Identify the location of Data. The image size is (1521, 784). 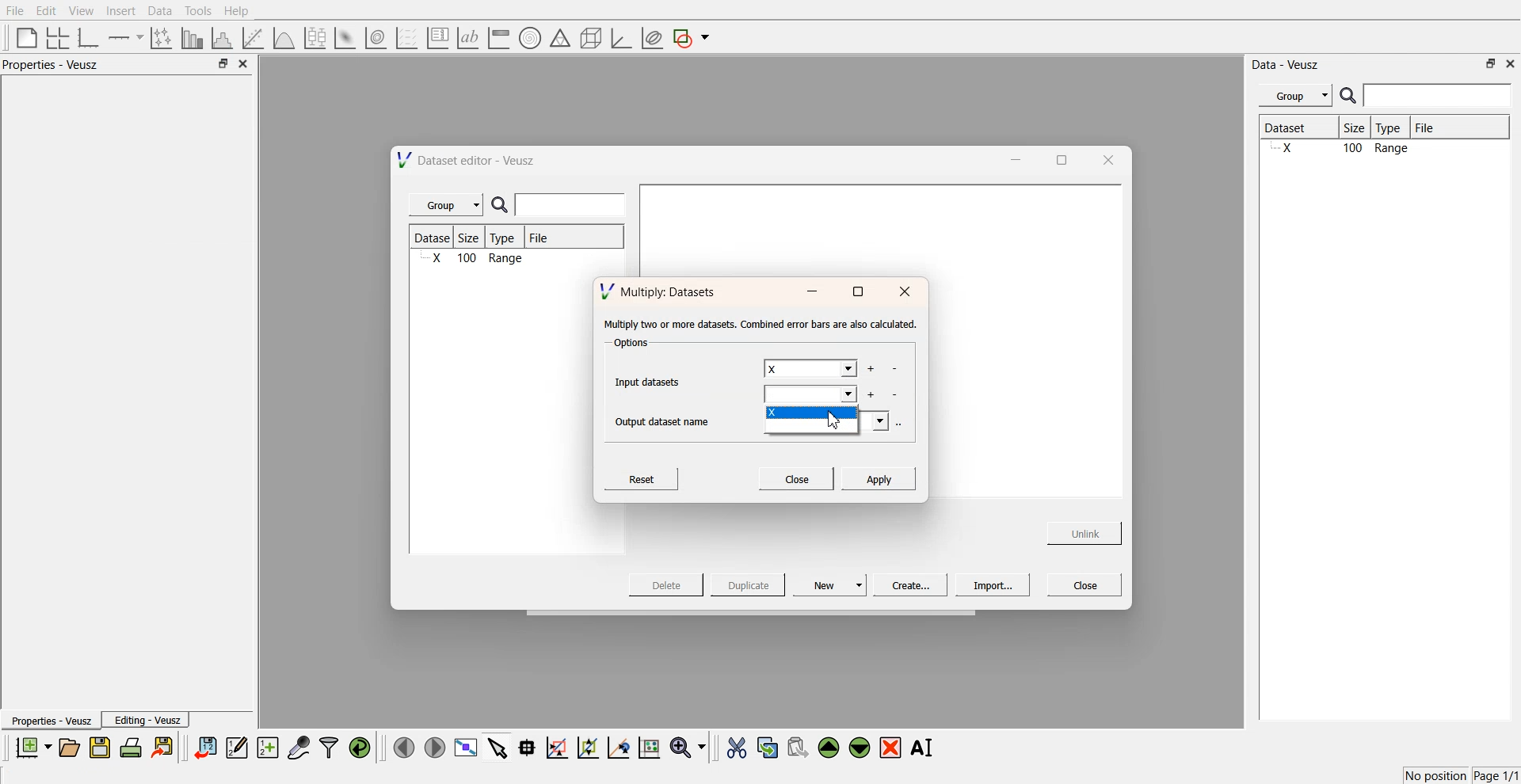
(159, 11).